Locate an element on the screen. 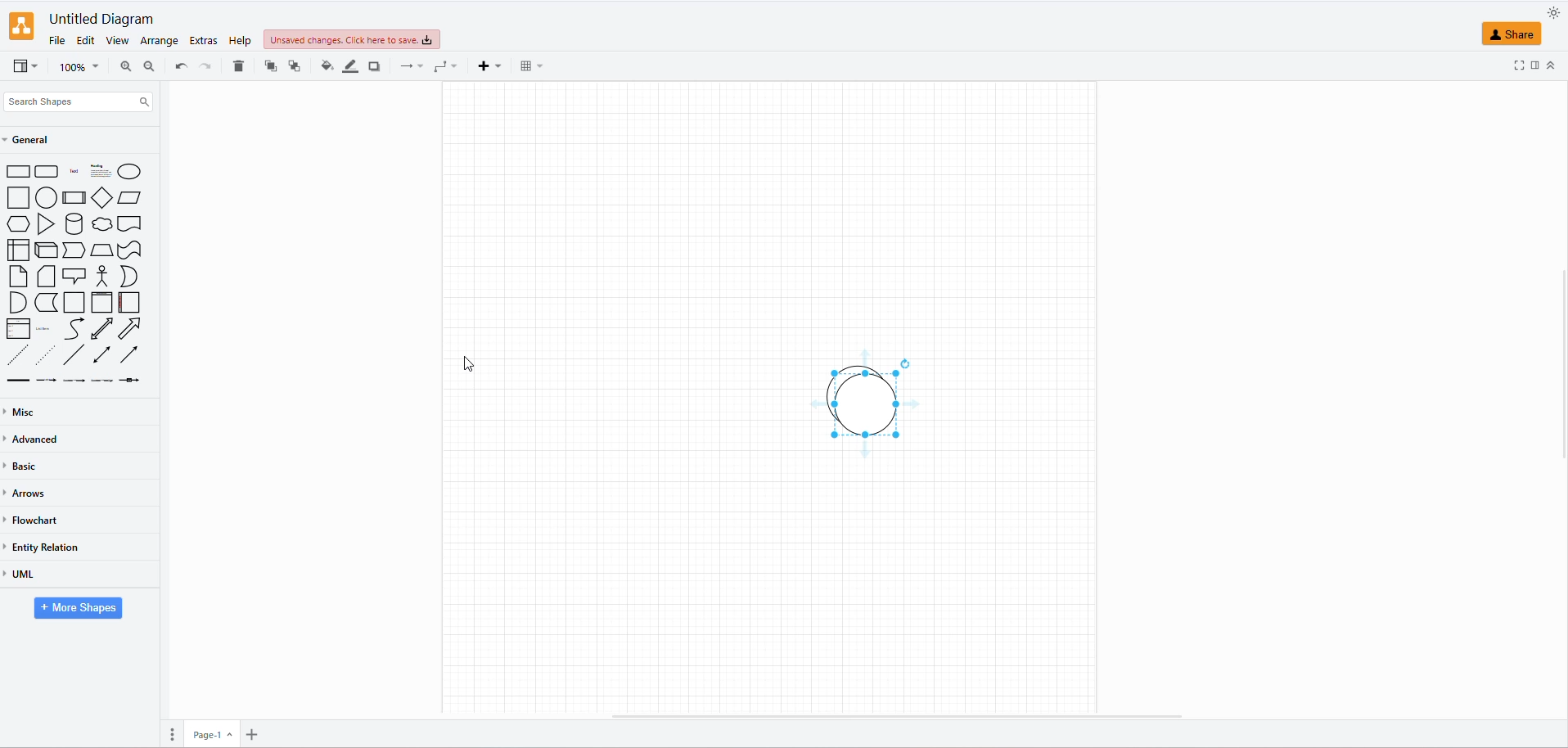 The height and width of the screenshot is (748, 1568). DUPLICATED SHAPE is located at coordinates (867, 399).